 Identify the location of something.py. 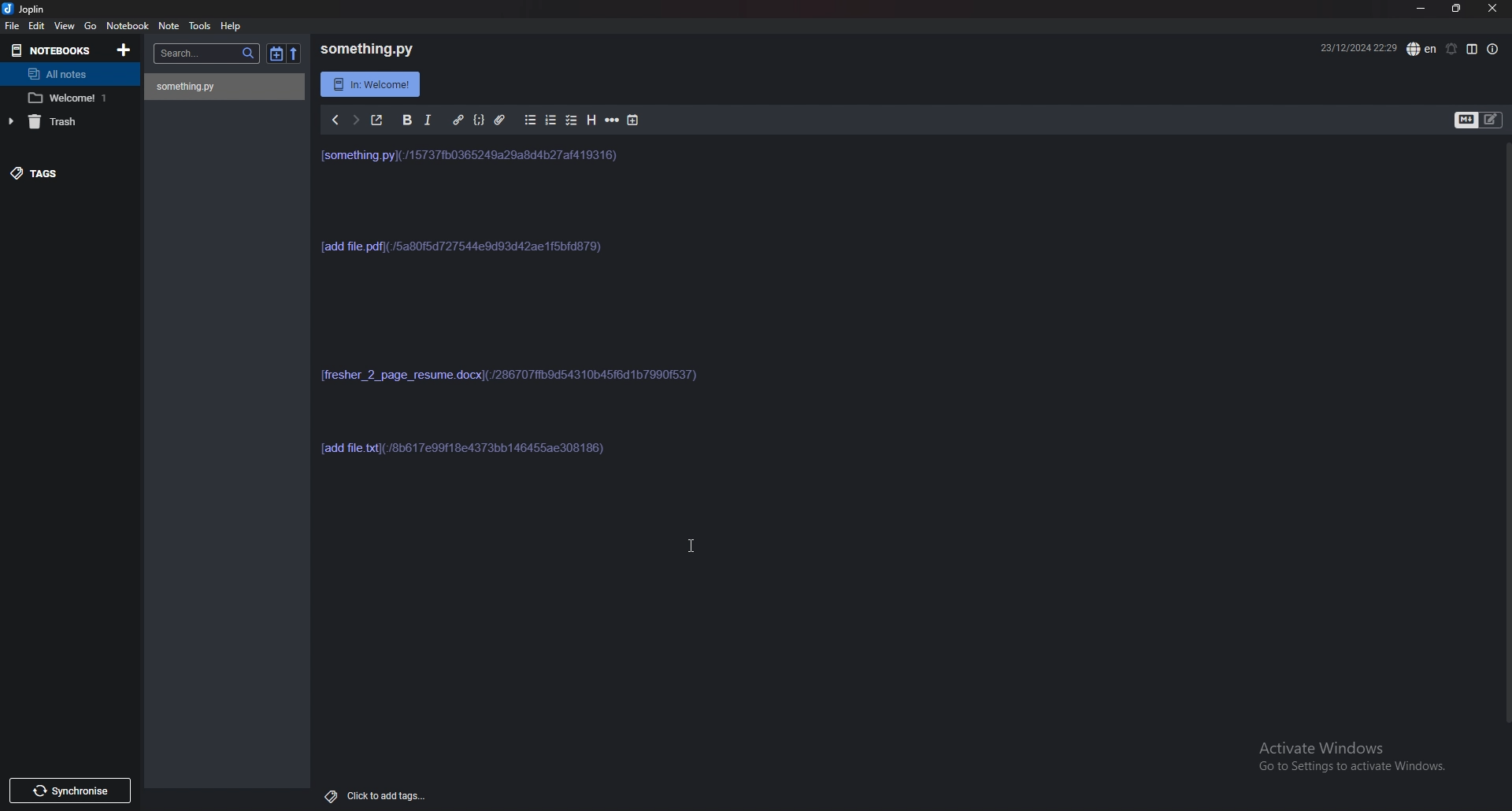
(371, 50).